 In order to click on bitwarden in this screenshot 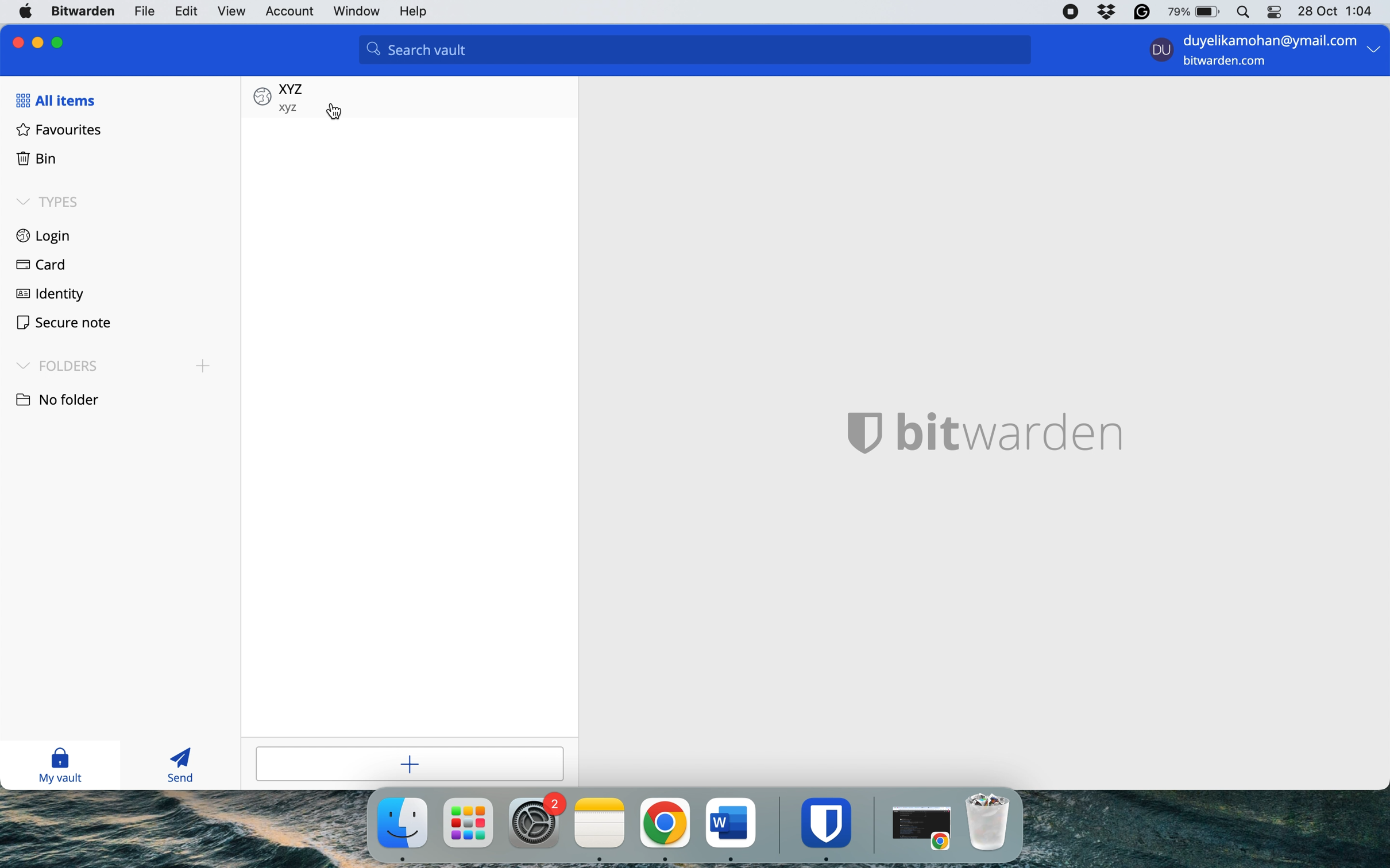, I will do `click(85, 12)`.